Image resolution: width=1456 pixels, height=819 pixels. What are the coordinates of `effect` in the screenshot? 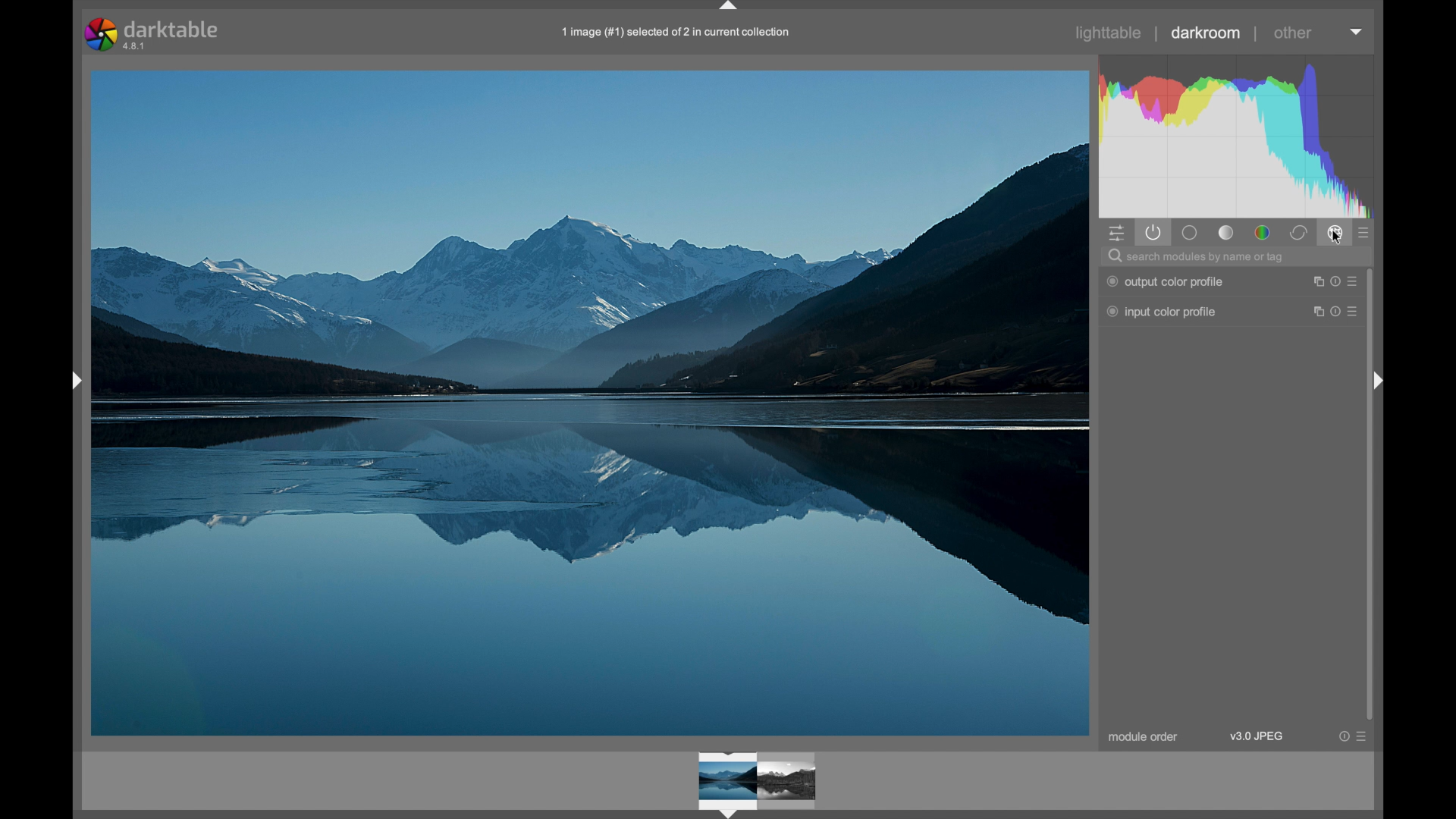 It's located at (1335, 233).